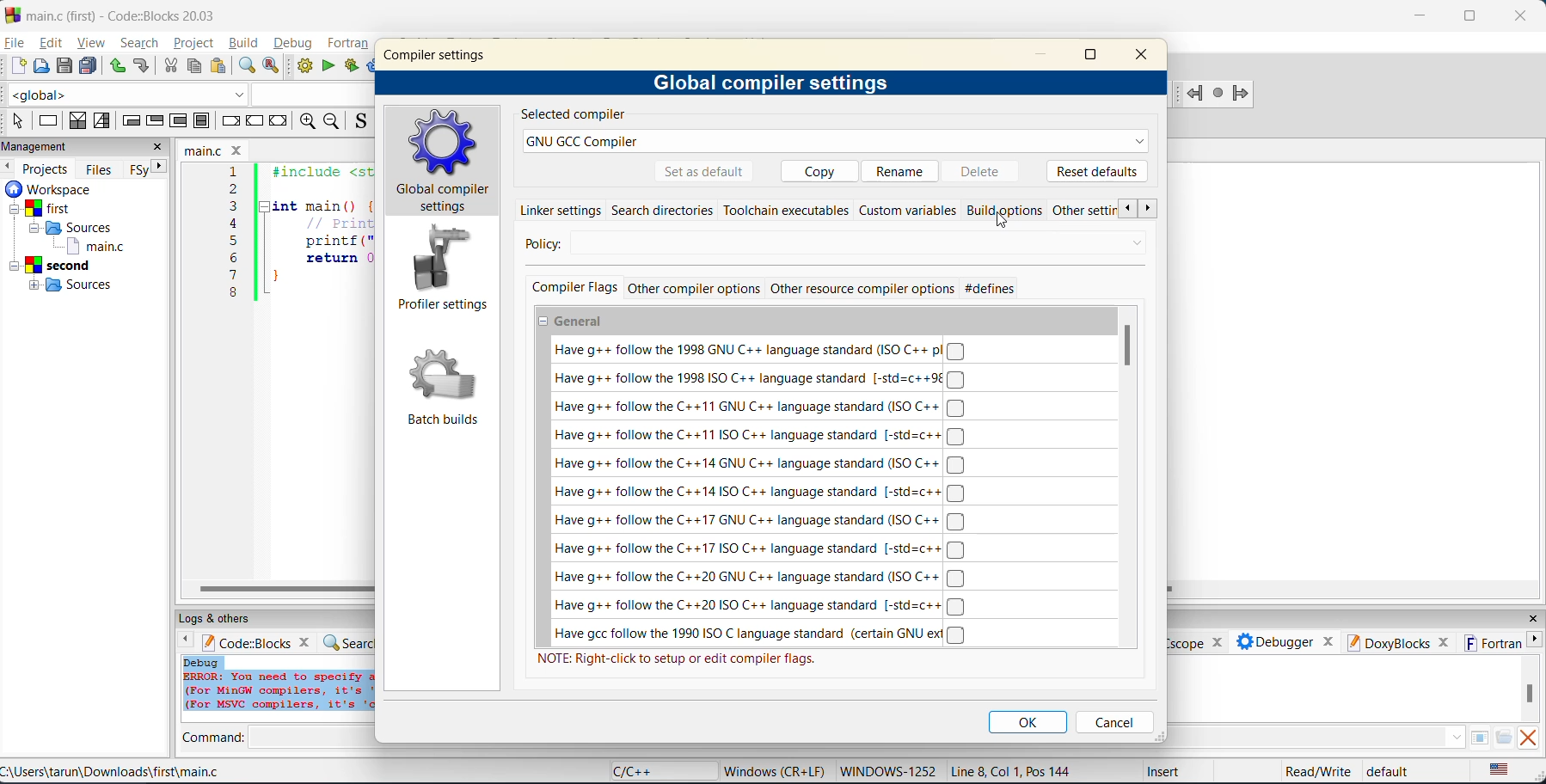 This screenshot has height=784, width=1546. What do you see at coordinates (129, 95) in the screenshot?
I see `global` at bounding box center [129, 95].